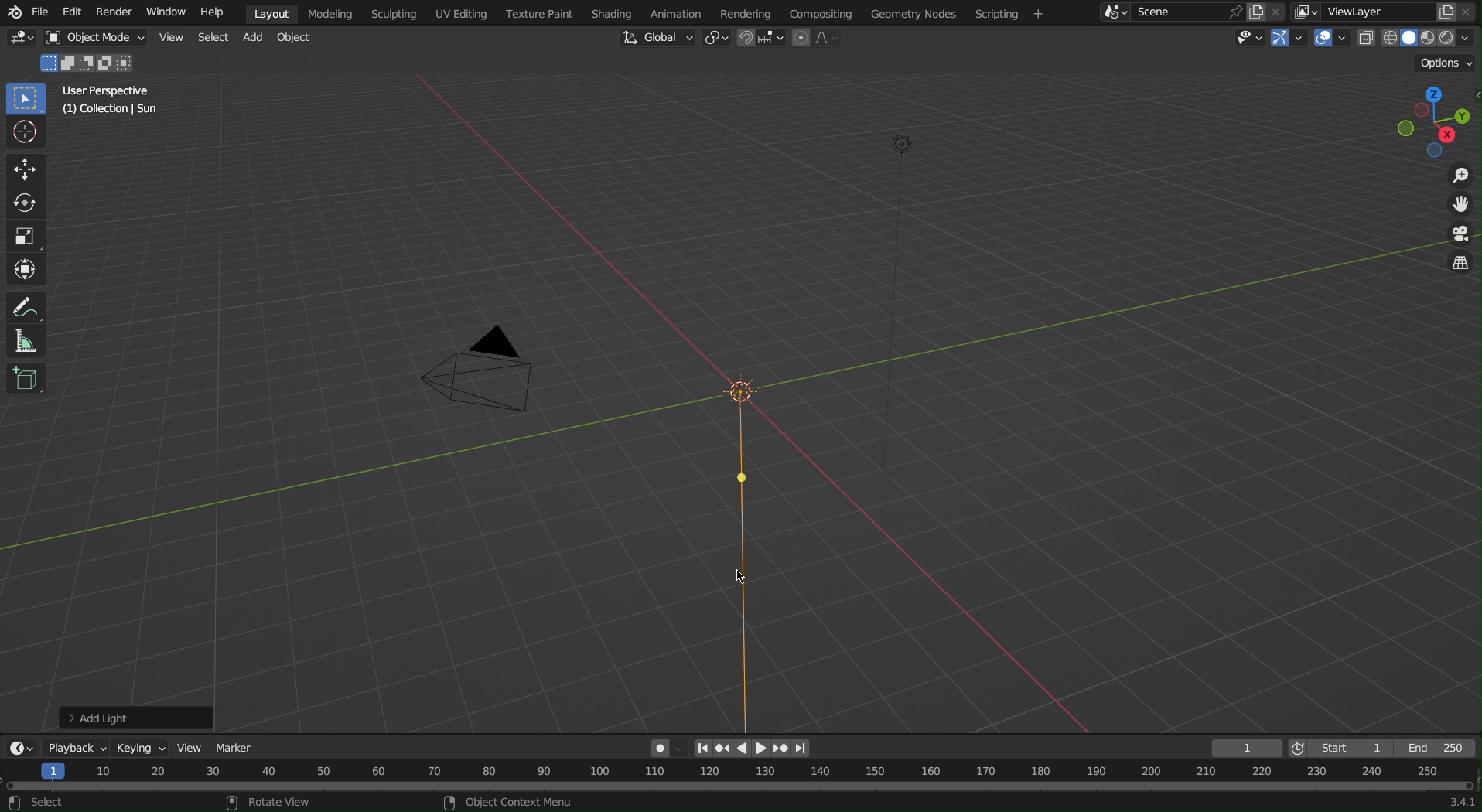 The image size is (1482, 812). Describe the element at coordinates (115, 99) in the screenshot. I see `User perspective (1) Collection` at that location.